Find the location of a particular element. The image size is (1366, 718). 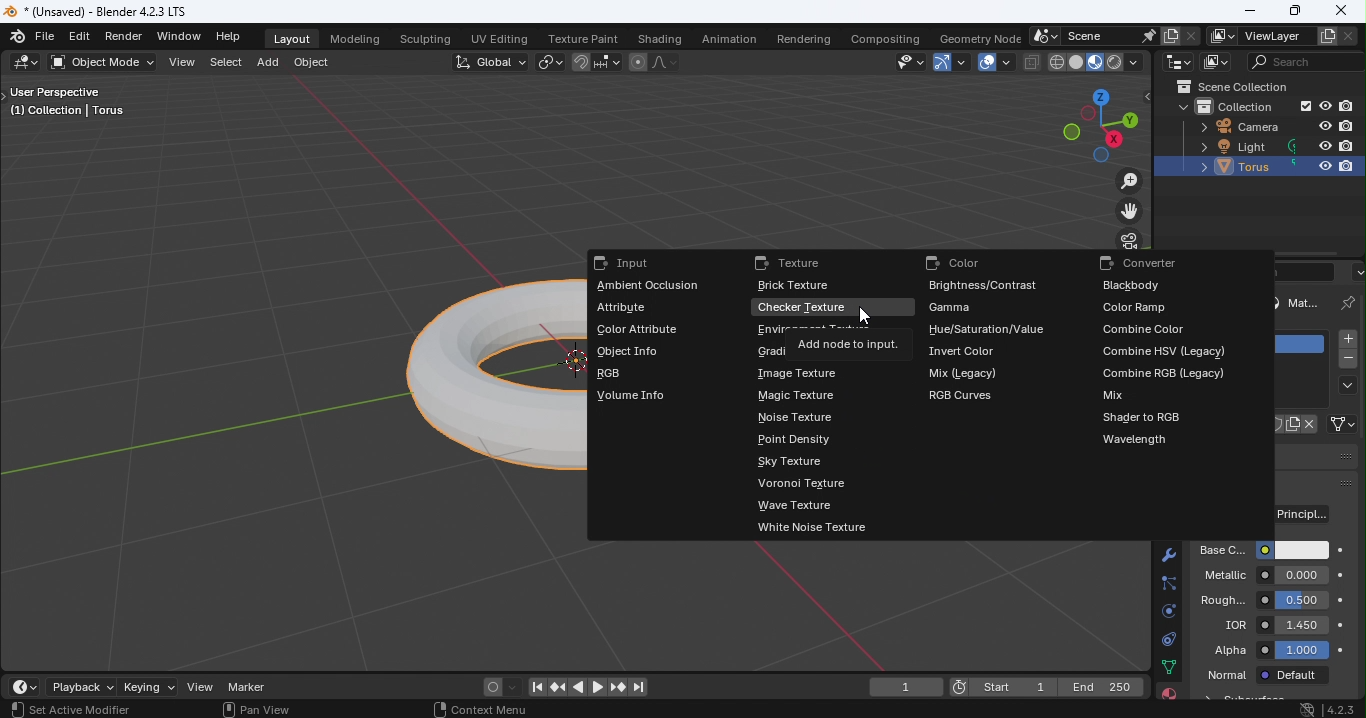

Object info is located at coordinates (633, 351).